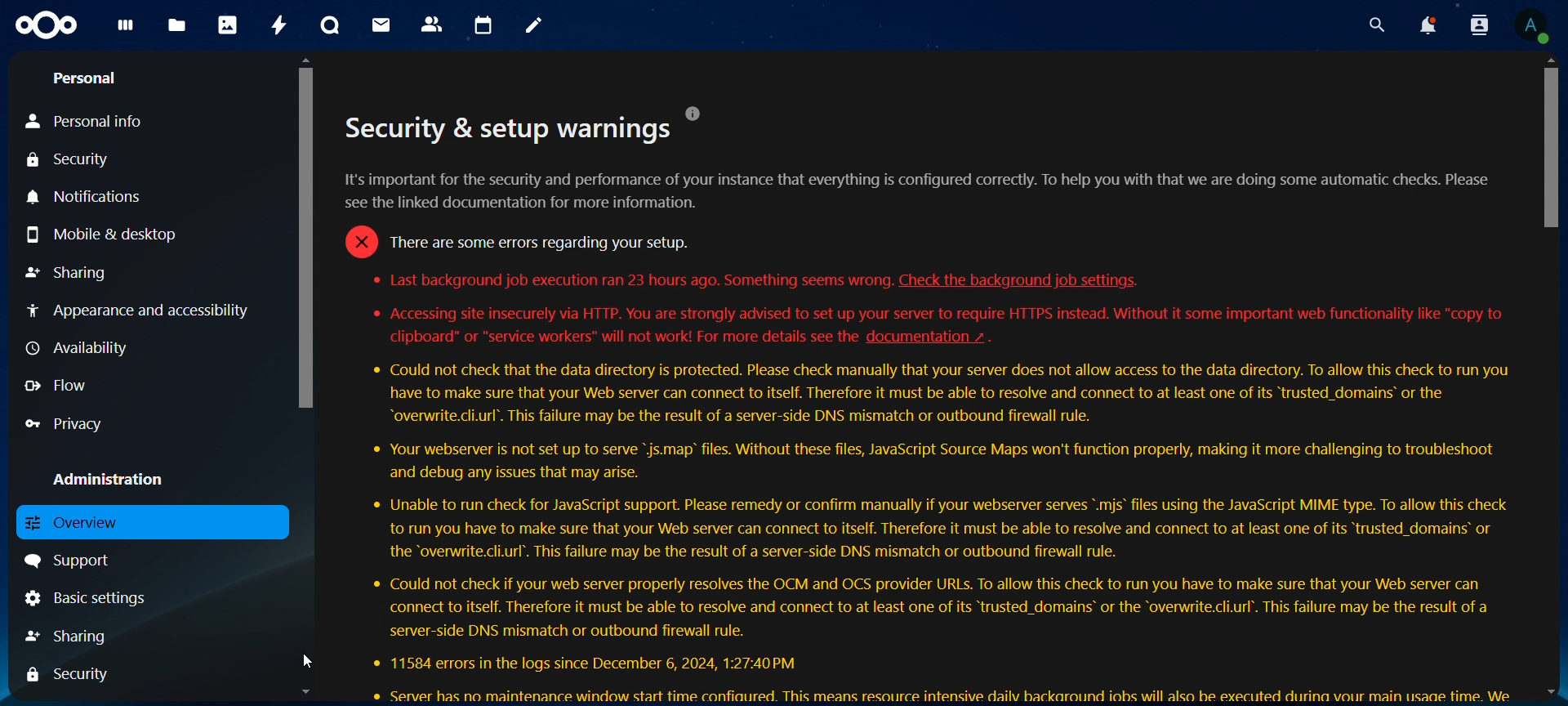  Describe the element at coordinates (304, 662) in the screenshot. I see `Cursor` at that location.